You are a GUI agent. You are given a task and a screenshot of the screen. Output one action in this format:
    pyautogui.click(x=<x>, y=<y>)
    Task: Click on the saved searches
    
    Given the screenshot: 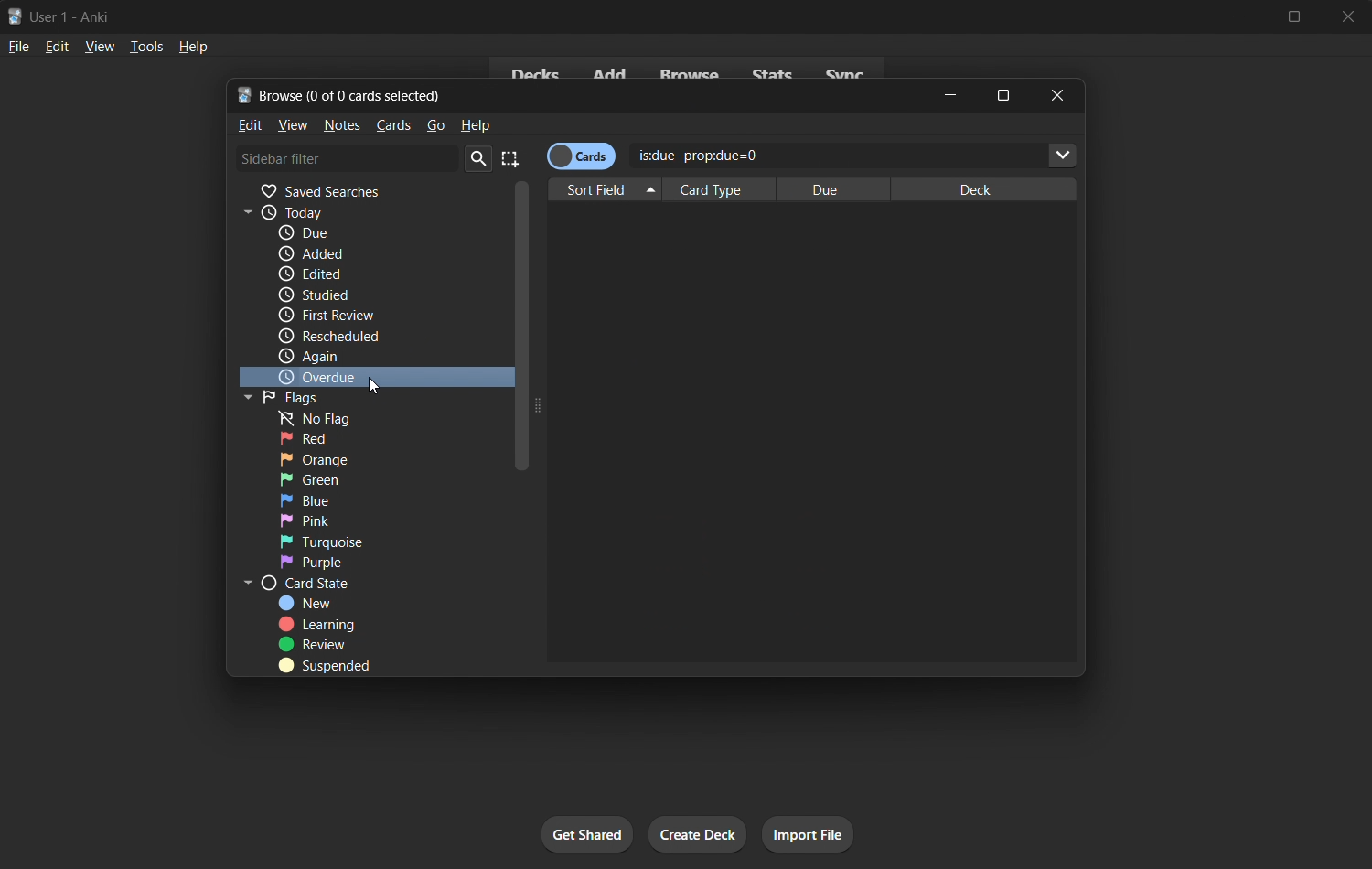 What is the action you would take?
    pyautogui.click(x=374, y=189)
    